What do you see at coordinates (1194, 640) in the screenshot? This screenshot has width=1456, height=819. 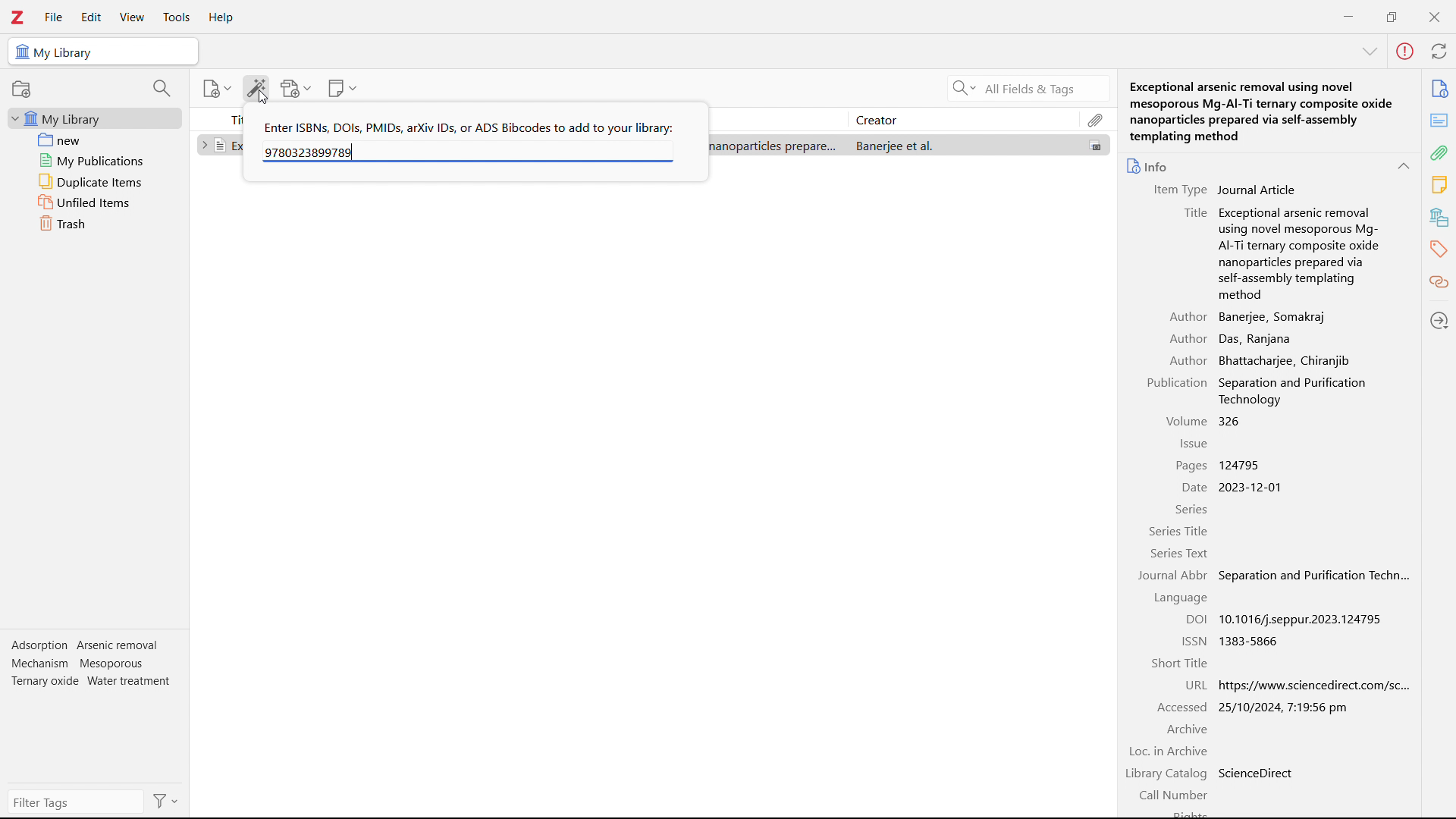 I see `ISSN` at bounding box center [1194, 640].